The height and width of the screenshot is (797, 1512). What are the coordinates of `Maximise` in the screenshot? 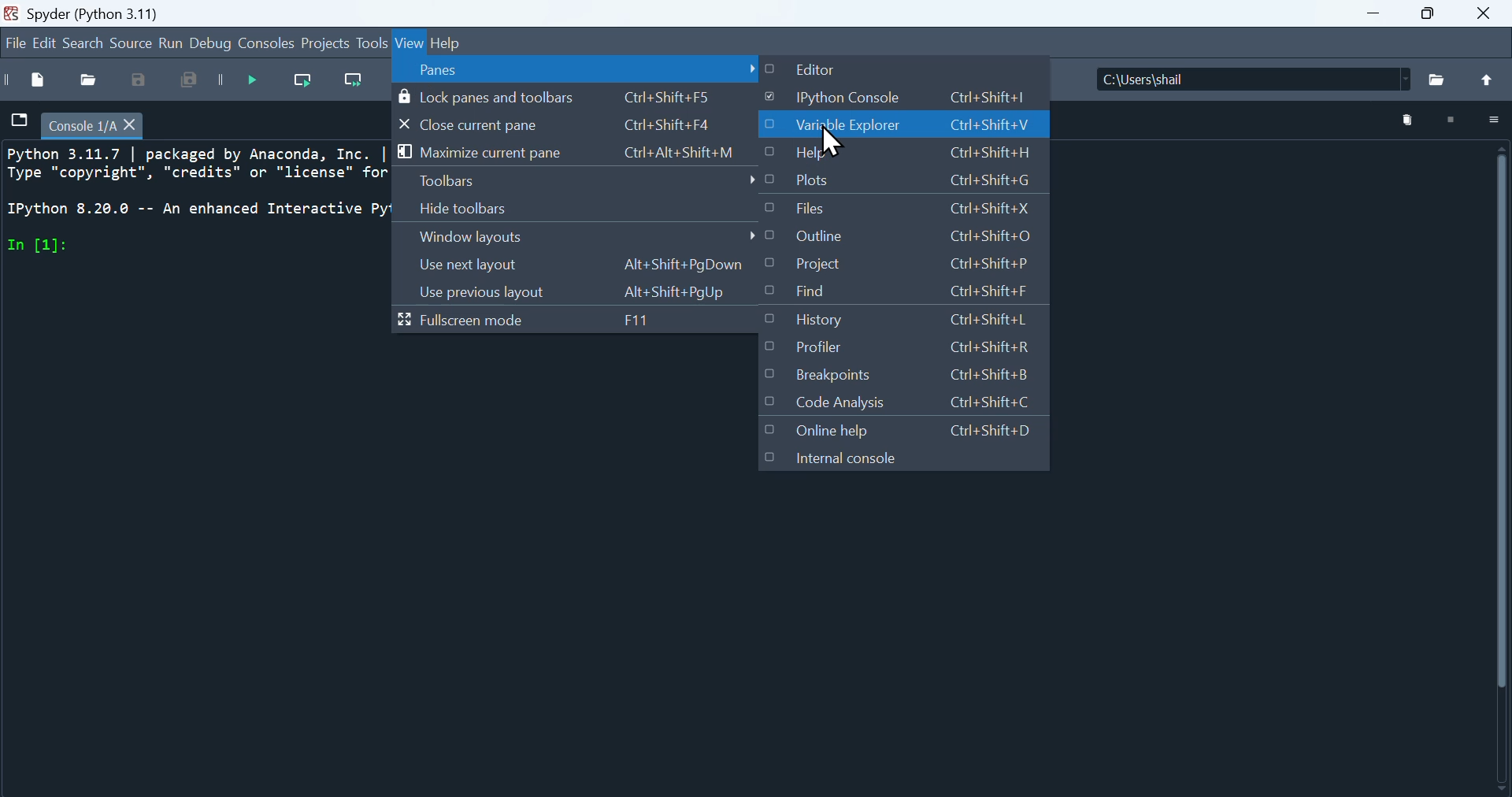 It's located at (1434, 21).